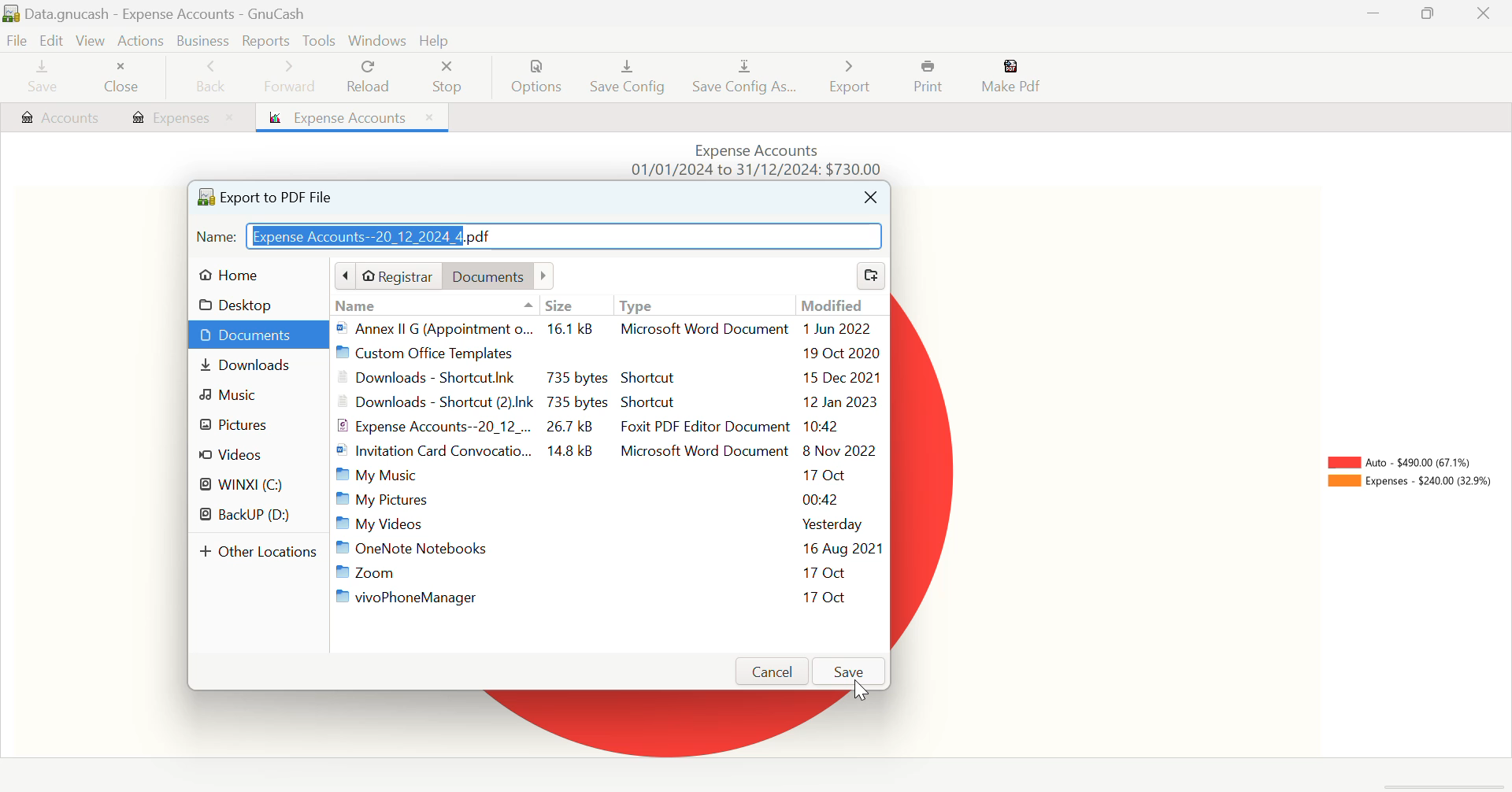 Image resolution: width=1512 pixels, height=792 pixels. Describe the element at coordinates (606, 499) in the screenshot. I see `My Pictures` at that location.